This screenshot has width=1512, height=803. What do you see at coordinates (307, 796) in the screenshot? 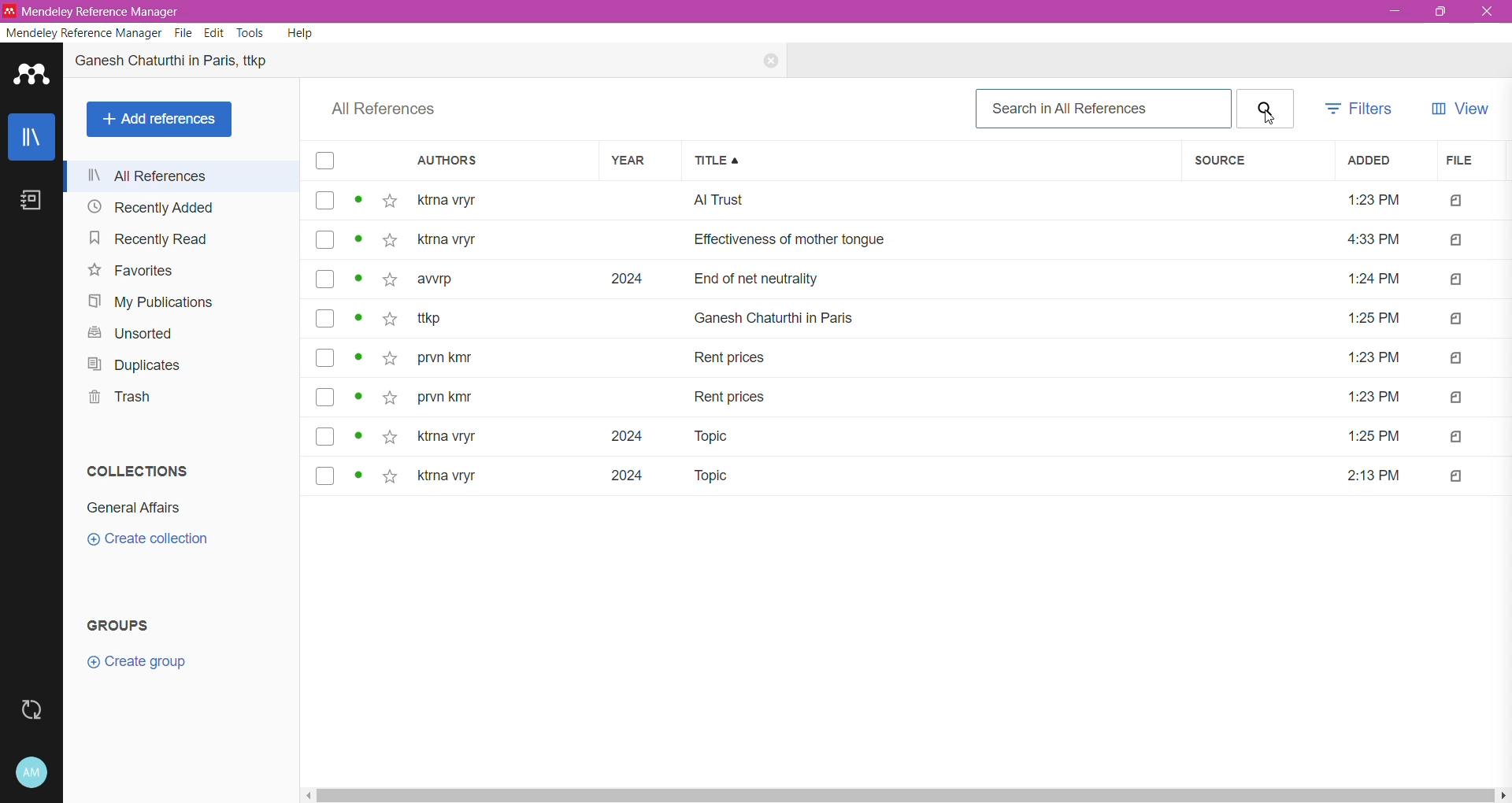
I see `move left` at bounding box center [307, 796].